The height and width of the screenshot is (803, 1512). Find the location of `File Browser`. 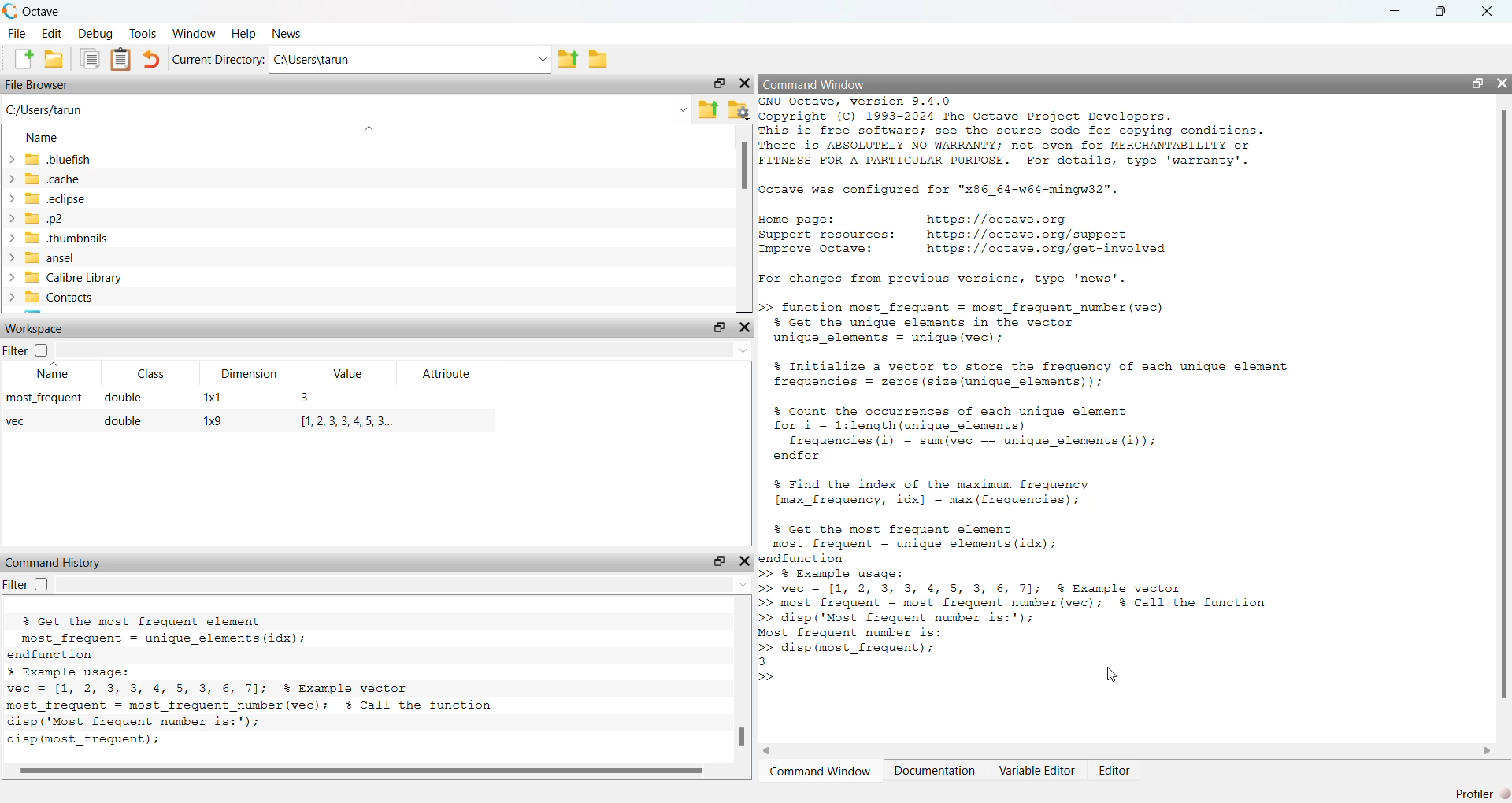

File Browser is located at coordinates (36, 84).